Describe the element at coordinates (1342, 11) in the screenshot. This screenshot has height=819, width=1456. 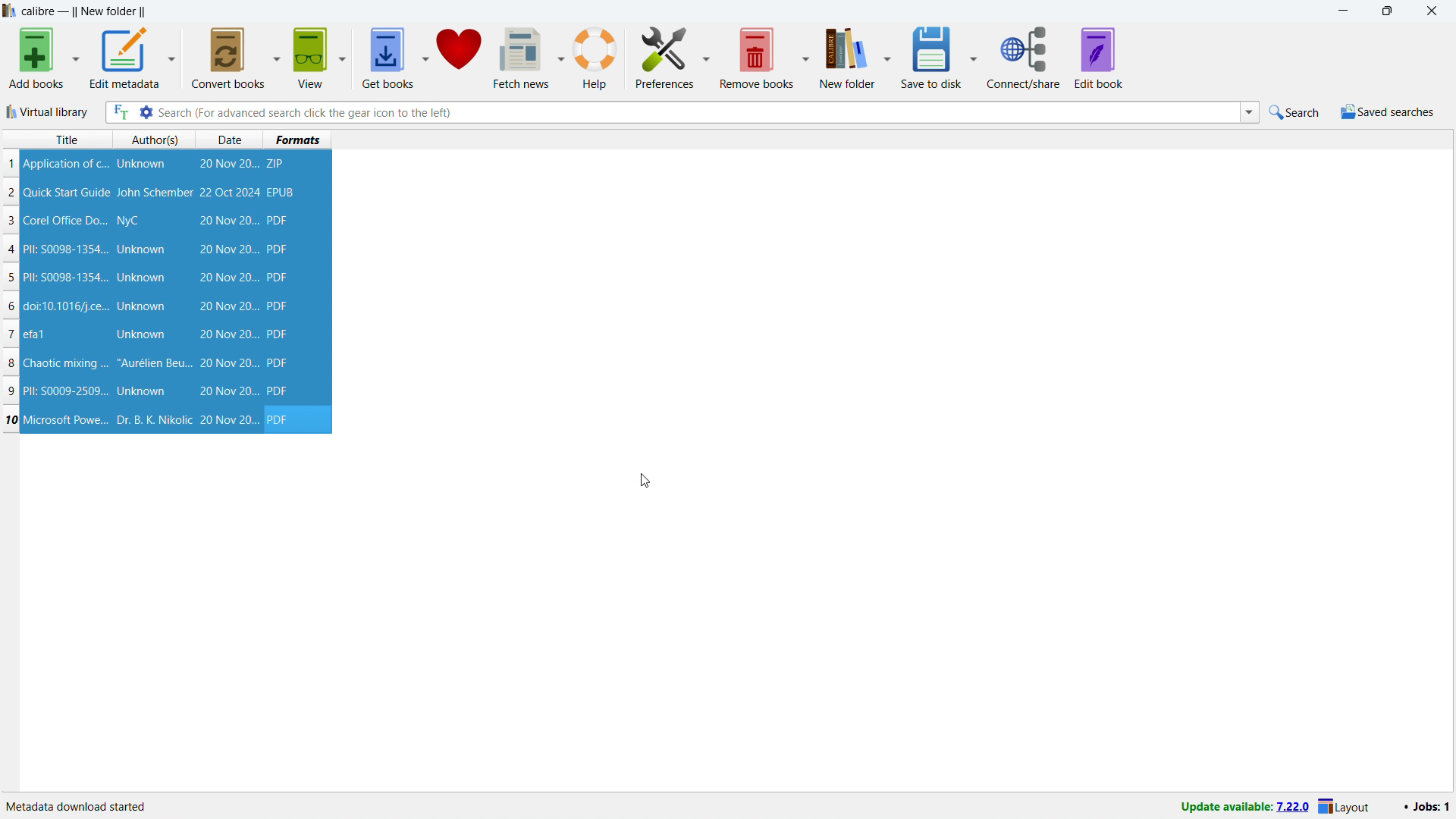
I see `minimize` at that location.